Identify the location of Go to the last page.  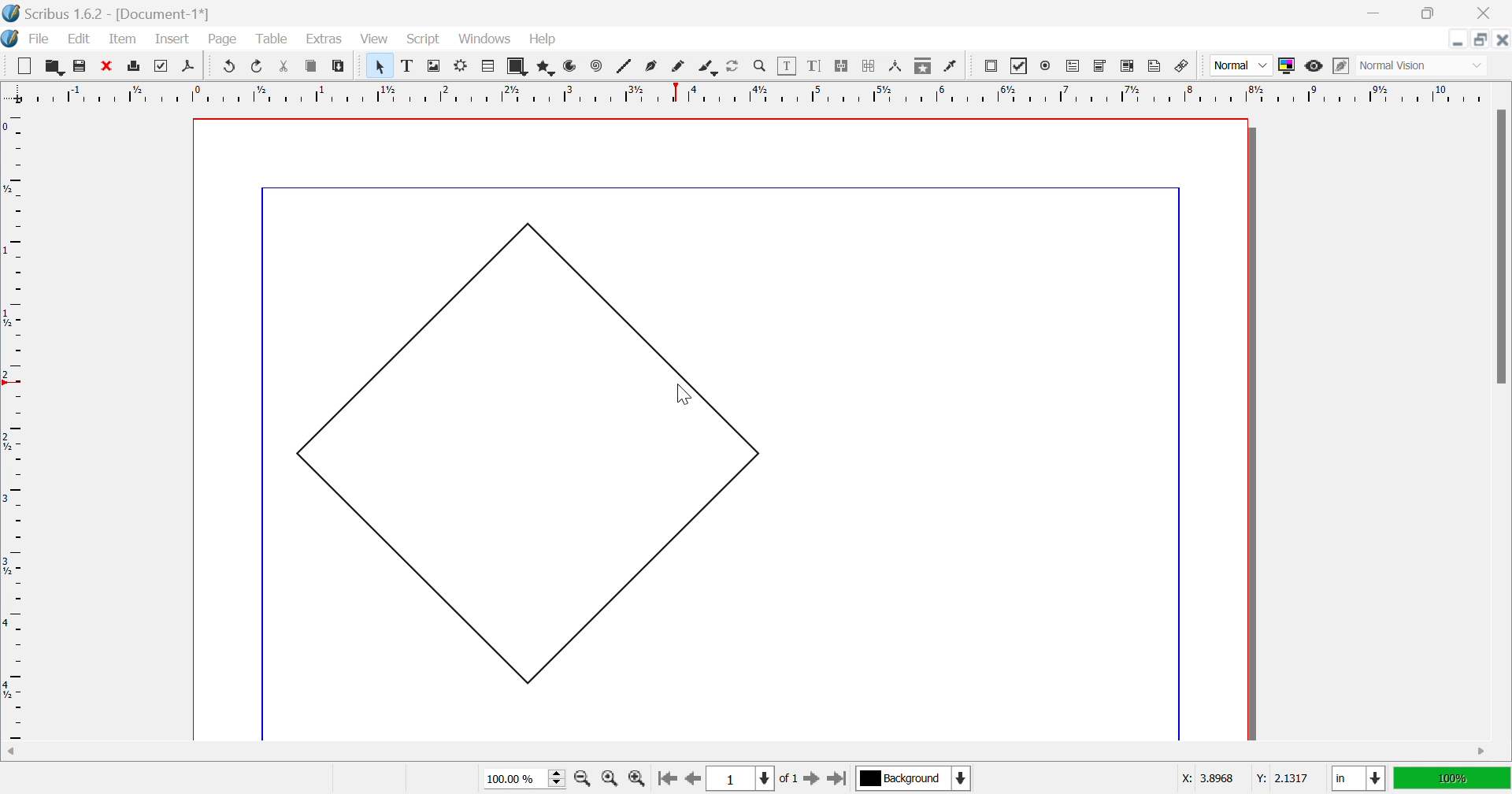
(836, 781).